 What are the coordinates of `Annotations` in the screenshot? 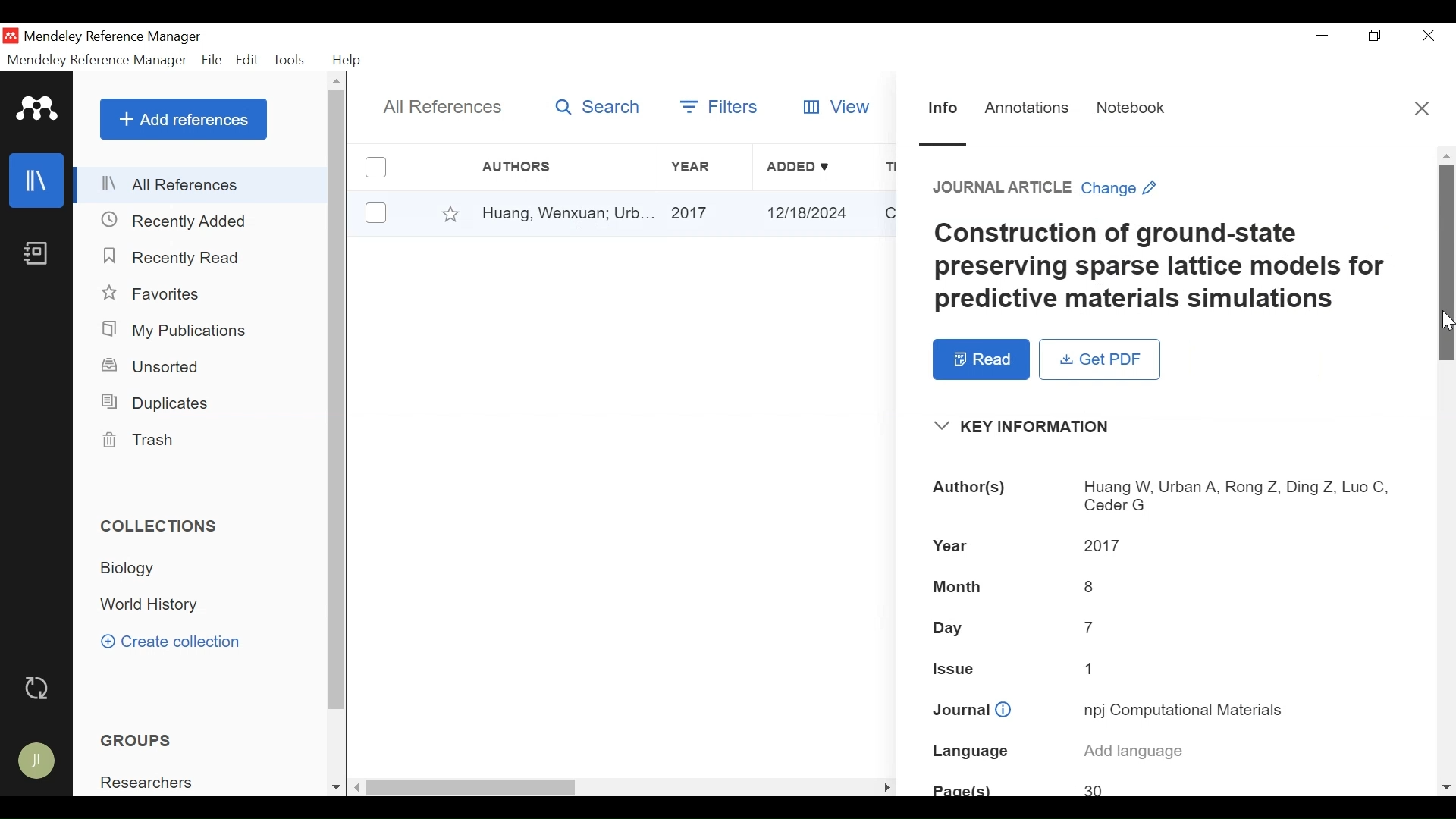 It's located at (1026, 108).